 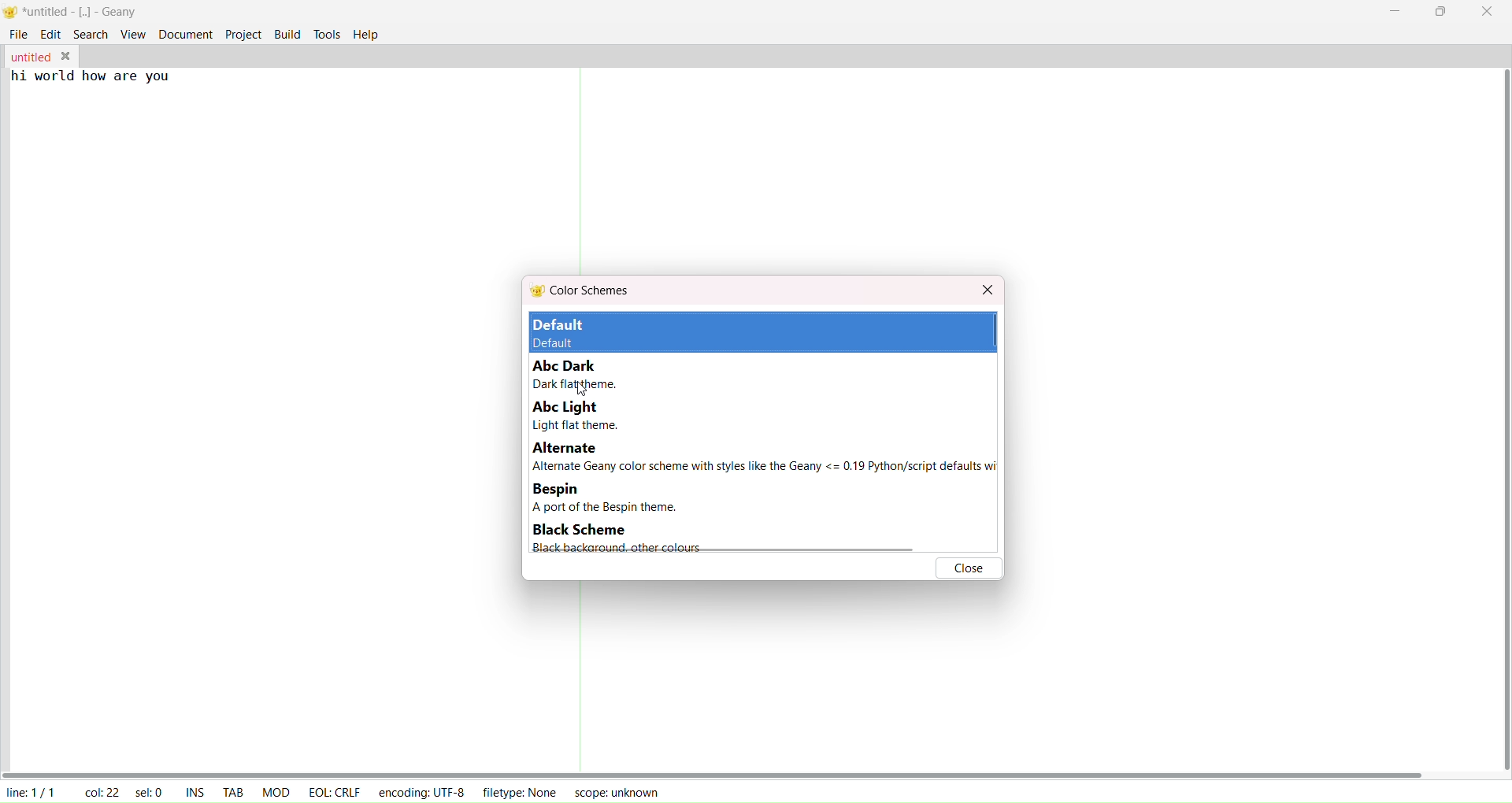 I want to click on default, so click(x=578, y=333).